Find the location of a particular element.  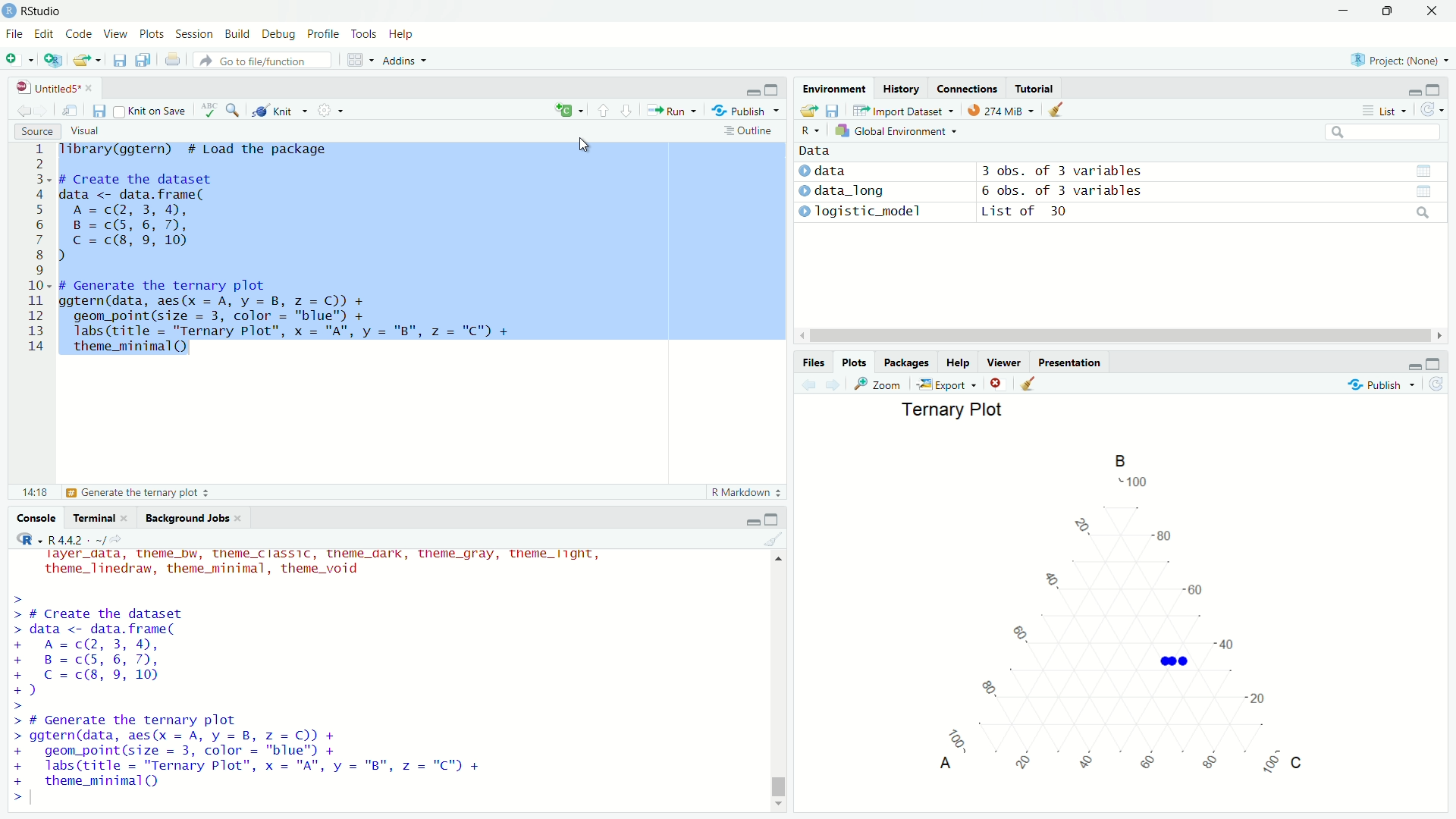

R Markdown * is located at coordinates (748, 490).